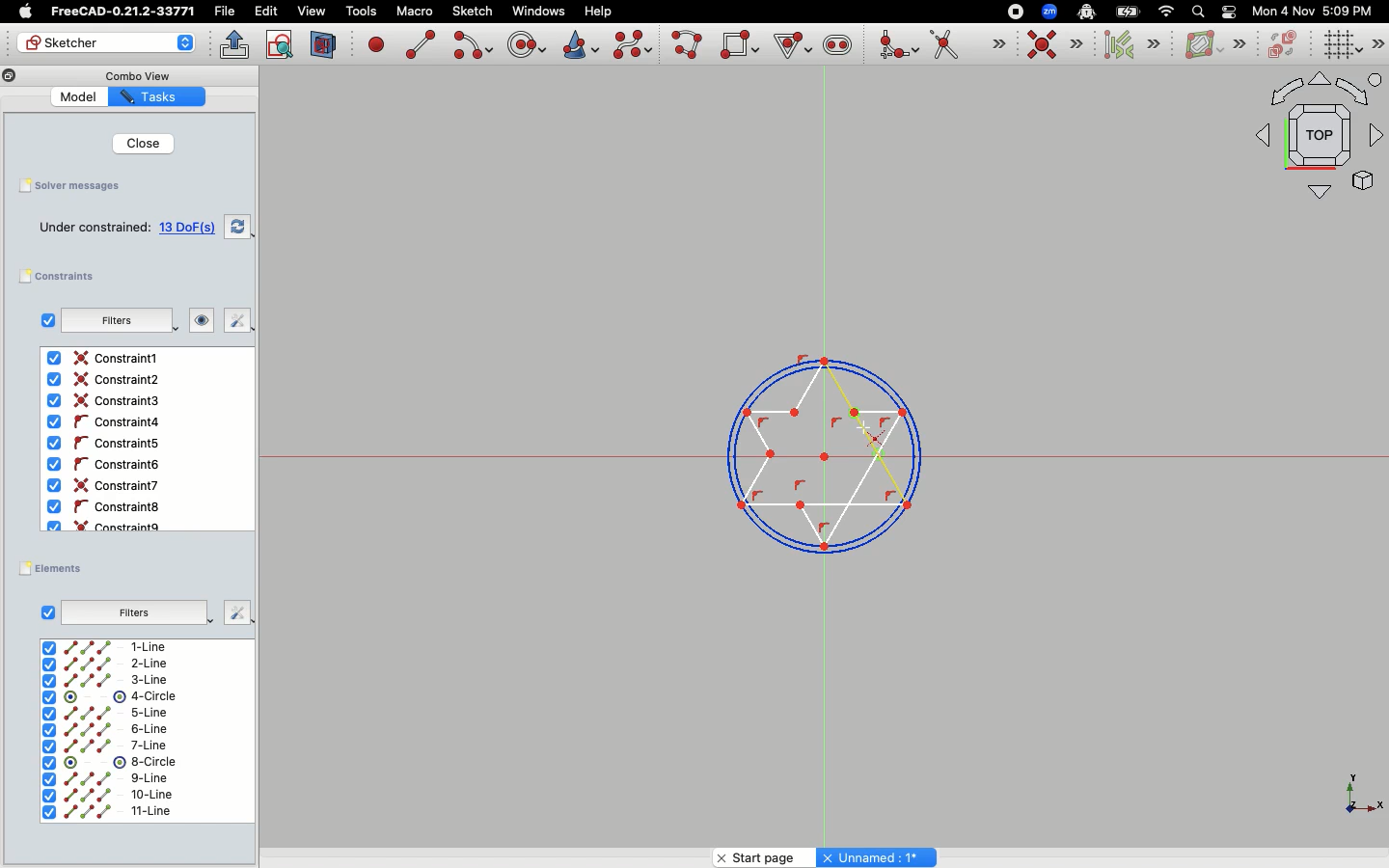 Image resolution: width=1389 pixels, height=868 pixels. I want to click on Toggle grid, so click(1340, 45).